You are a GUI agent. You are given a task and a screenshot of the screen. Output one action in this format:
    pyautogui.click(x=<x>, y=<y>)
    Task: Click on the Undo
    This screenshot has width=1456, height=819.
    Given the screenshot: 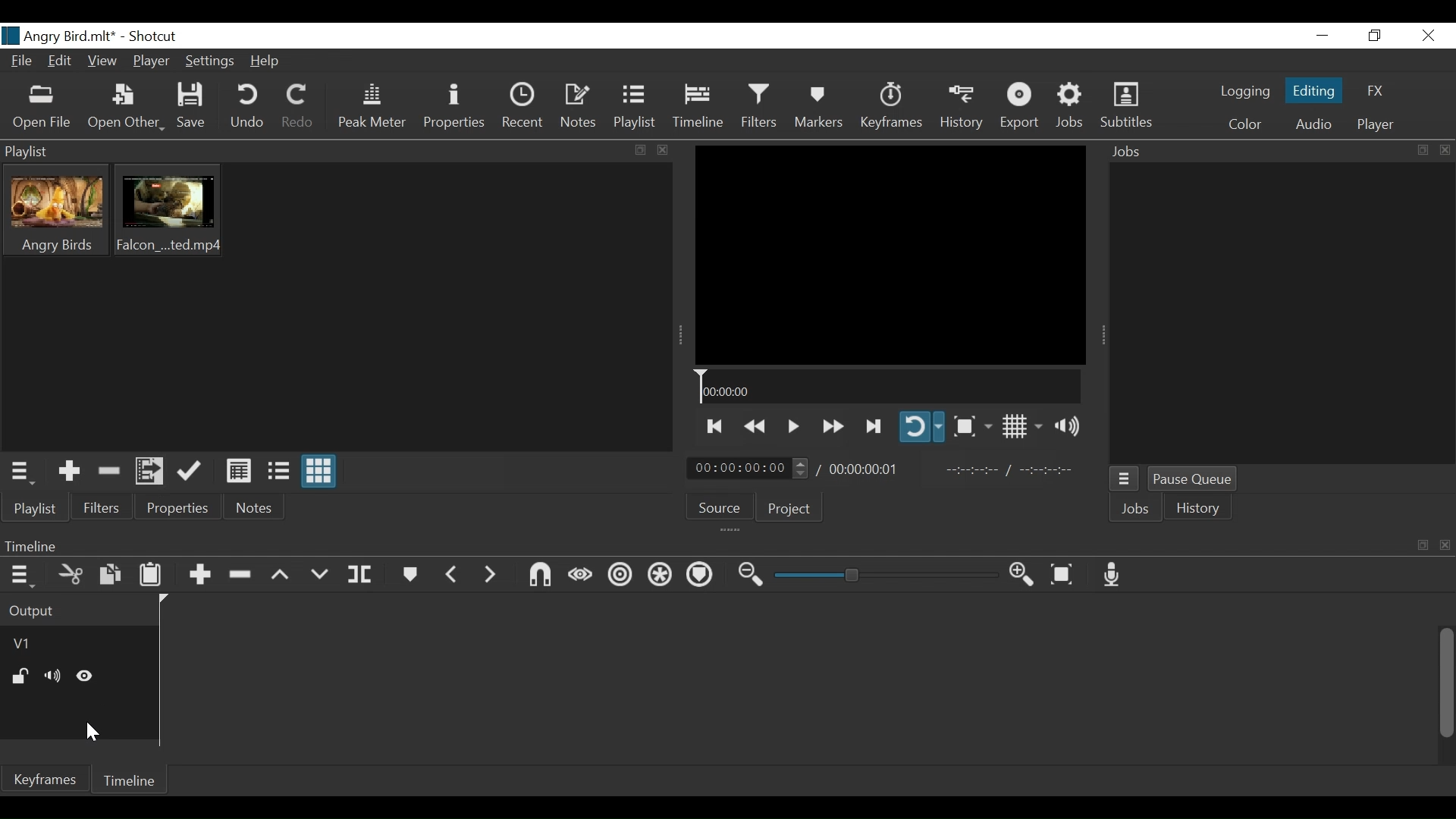 What is the action you would take?
    pyautogui.click(x=249, y=108)
    